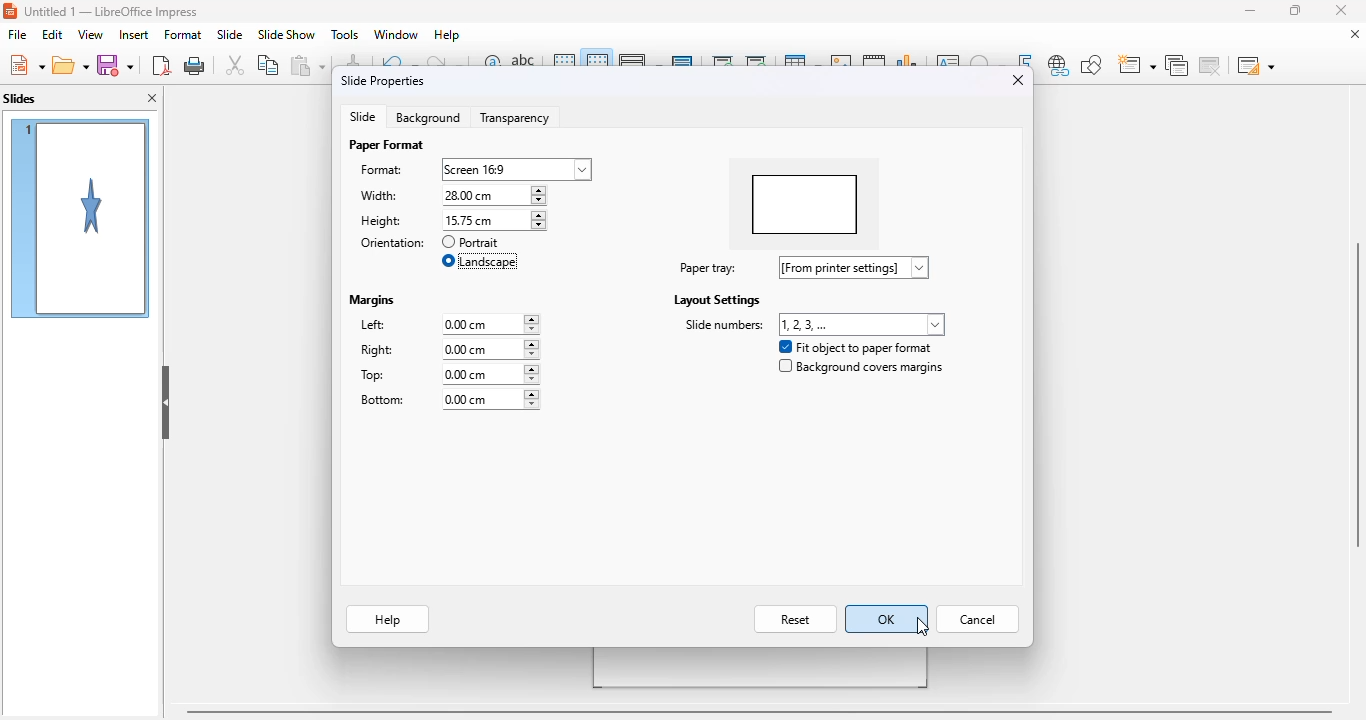 This screenshot has width=1366, height=720. I want to click on print, so click(196, 64).